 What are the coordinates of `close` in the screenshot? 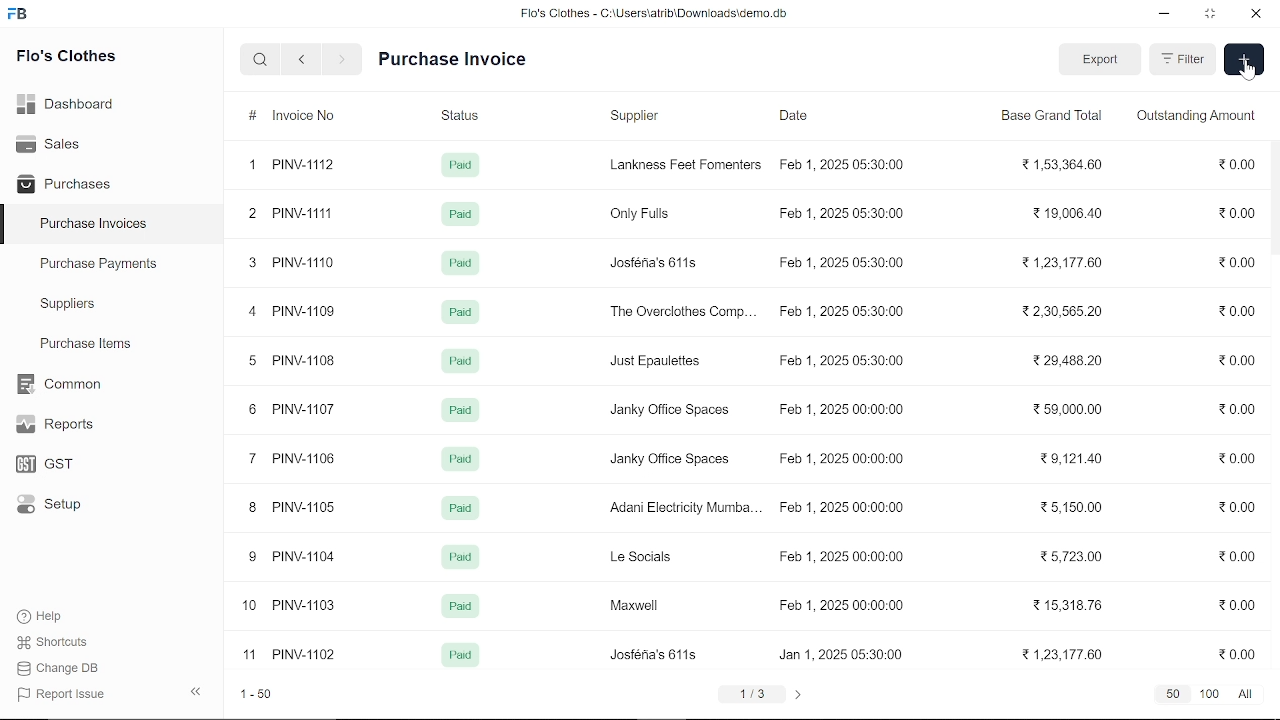 It's located at (1254, 16).